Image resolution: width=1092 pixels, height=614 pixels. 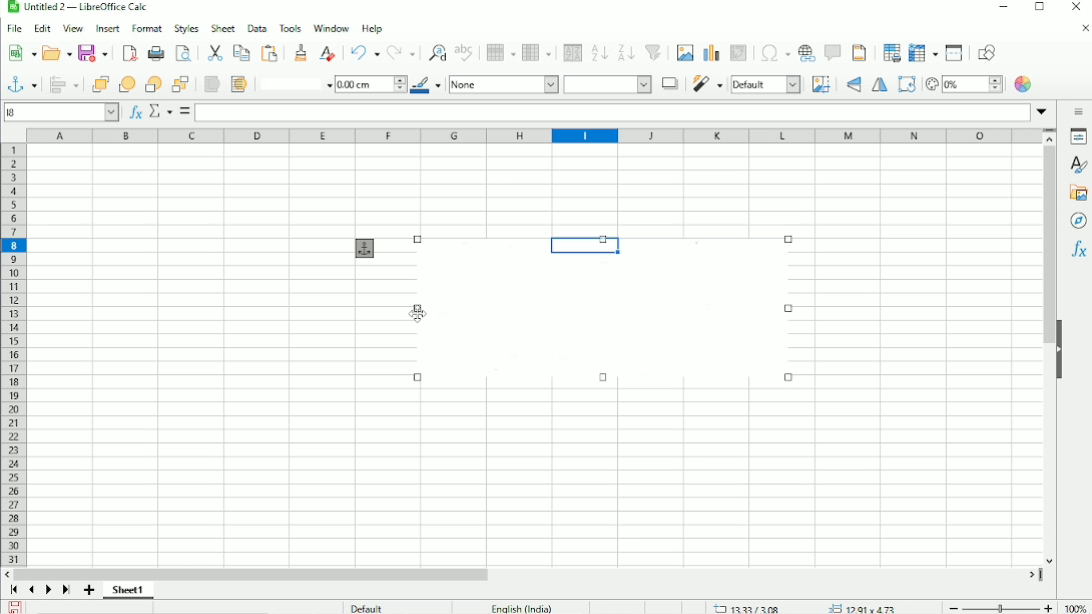 I want to click on Styles, so click(x=1076, y=164).